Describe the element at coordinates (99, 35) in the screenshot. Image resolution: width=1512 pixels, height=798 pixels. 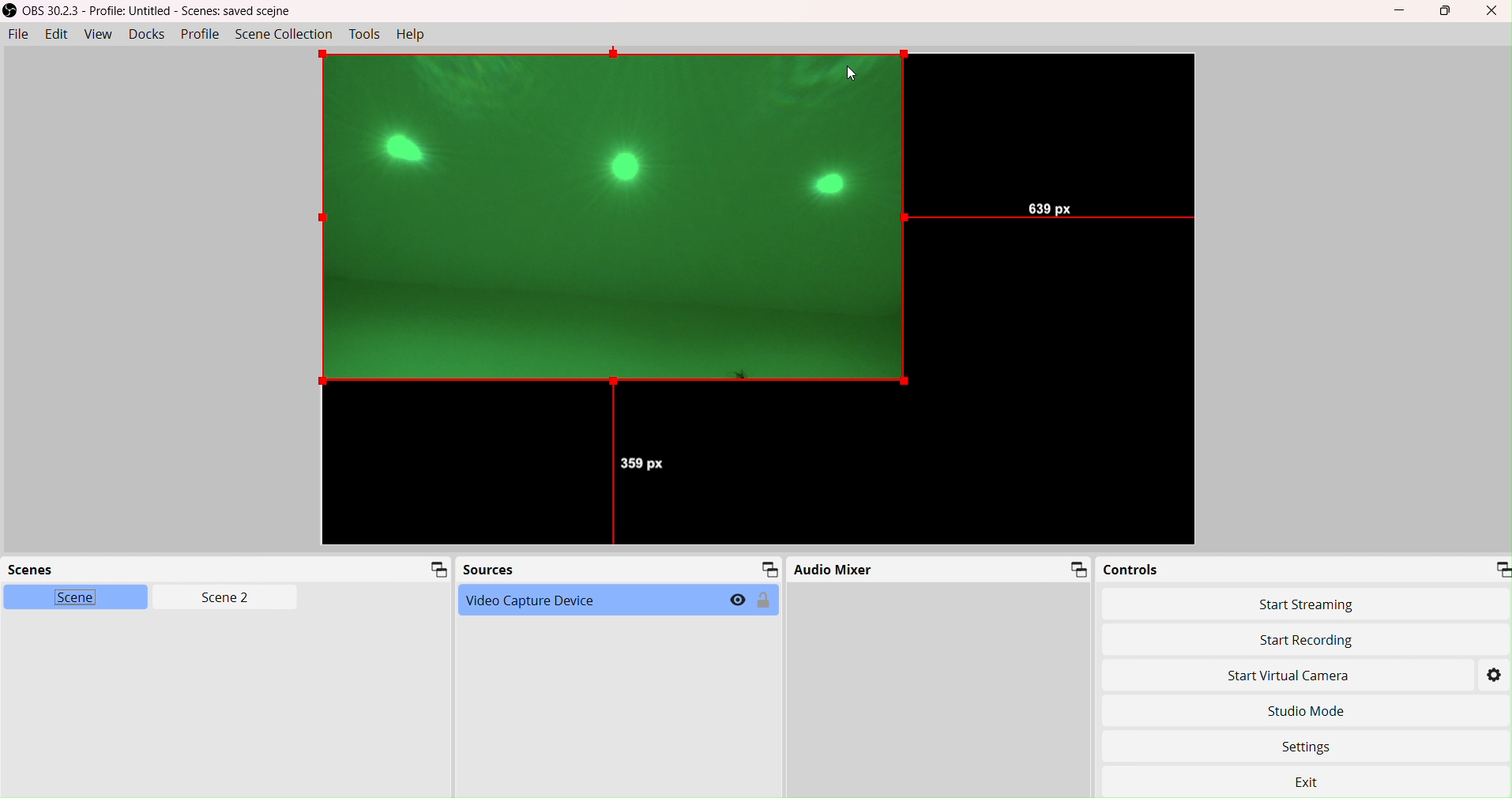
I see `View` at that location.